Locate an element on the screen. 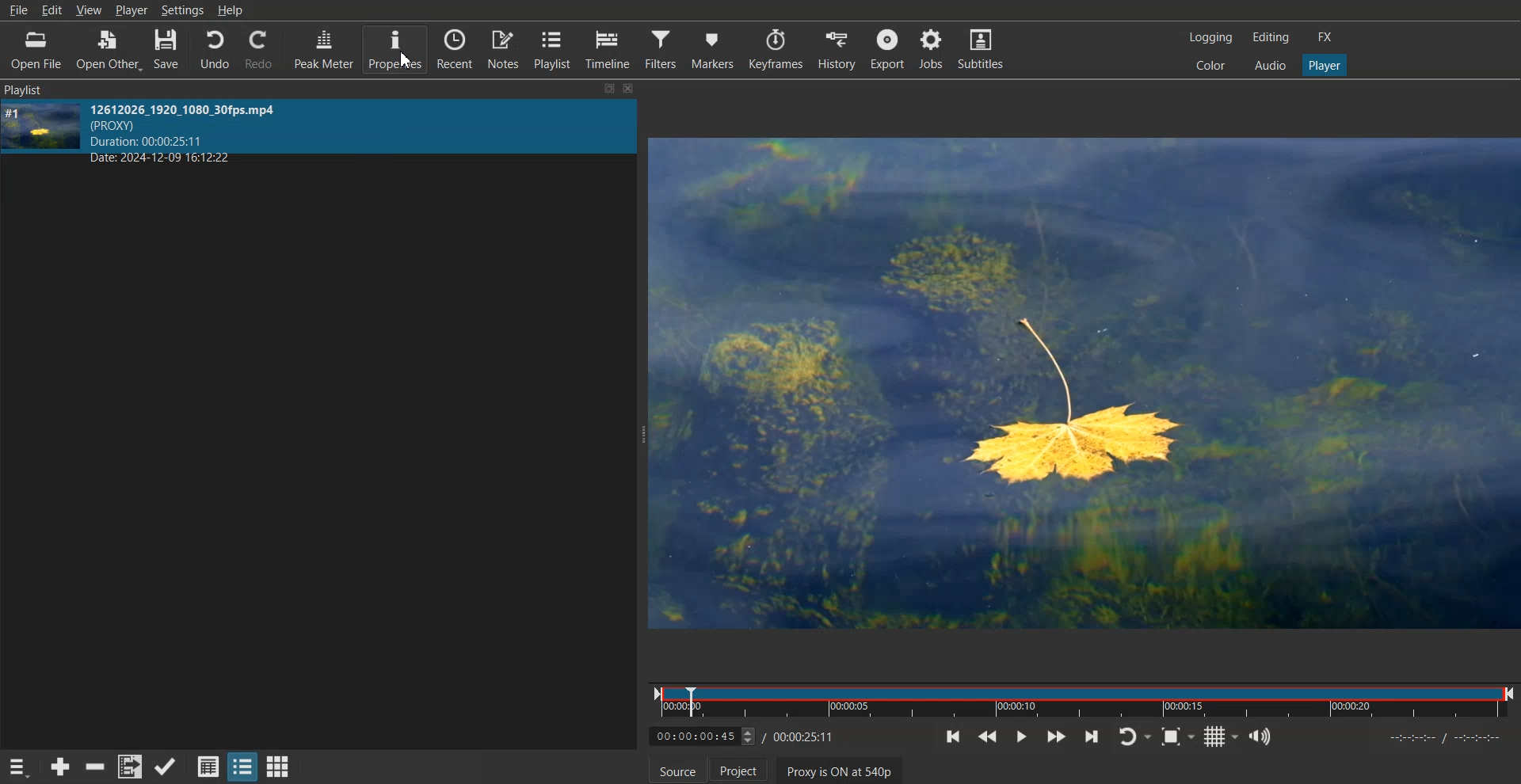 This screenshot has width=1521, height=784. Help is located at coordinates (231, 10).